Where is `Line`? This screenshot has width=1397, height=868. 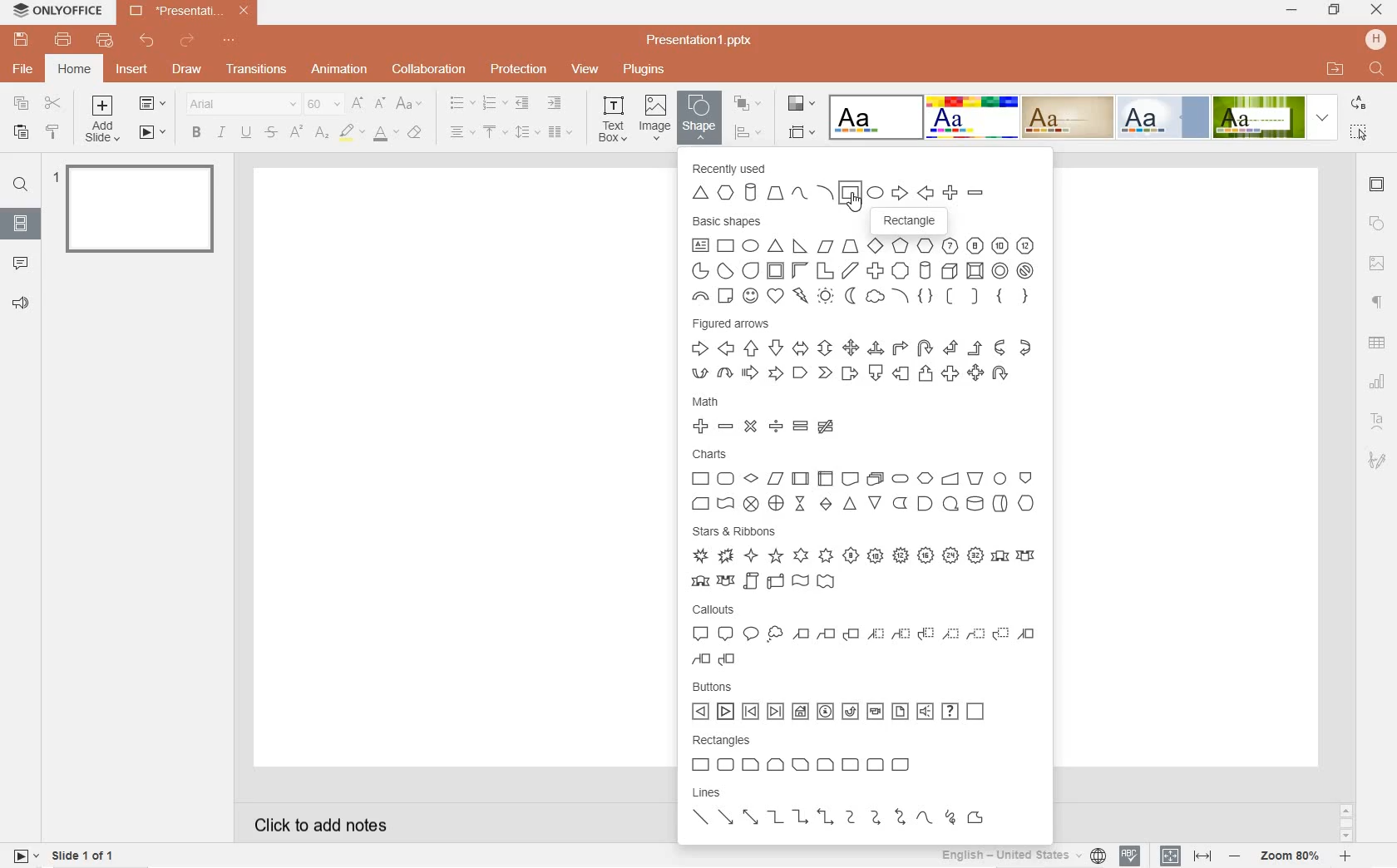 Line is located at coordinates (699, 818).